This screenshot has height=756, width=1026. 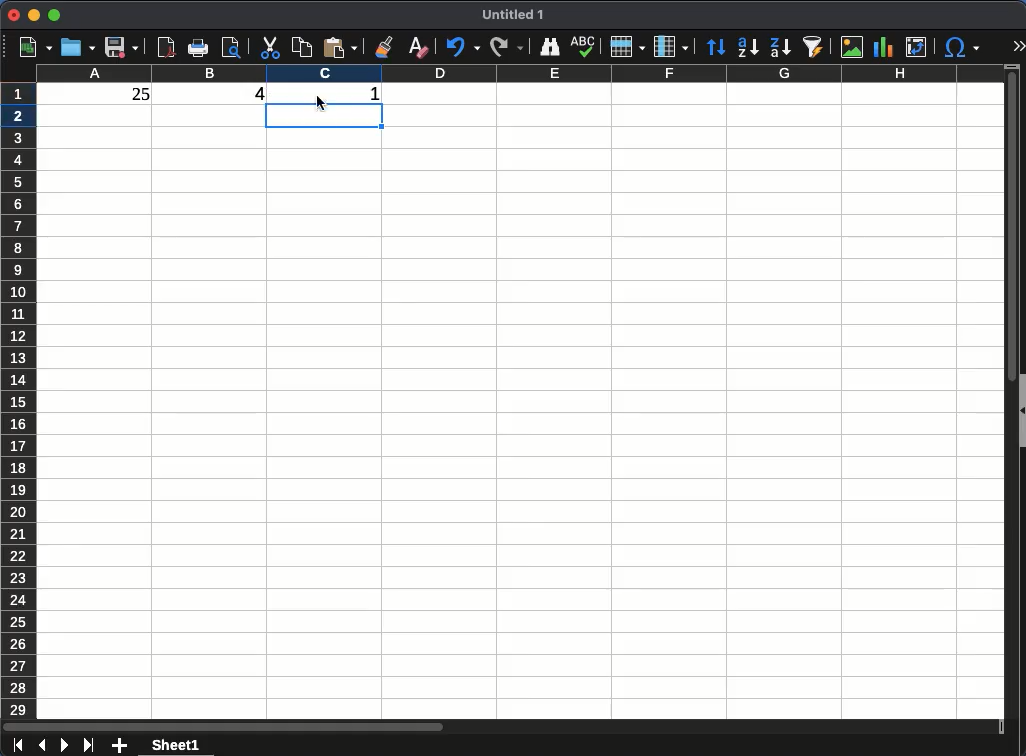 I want to click on print, so click(x=199, y=48).